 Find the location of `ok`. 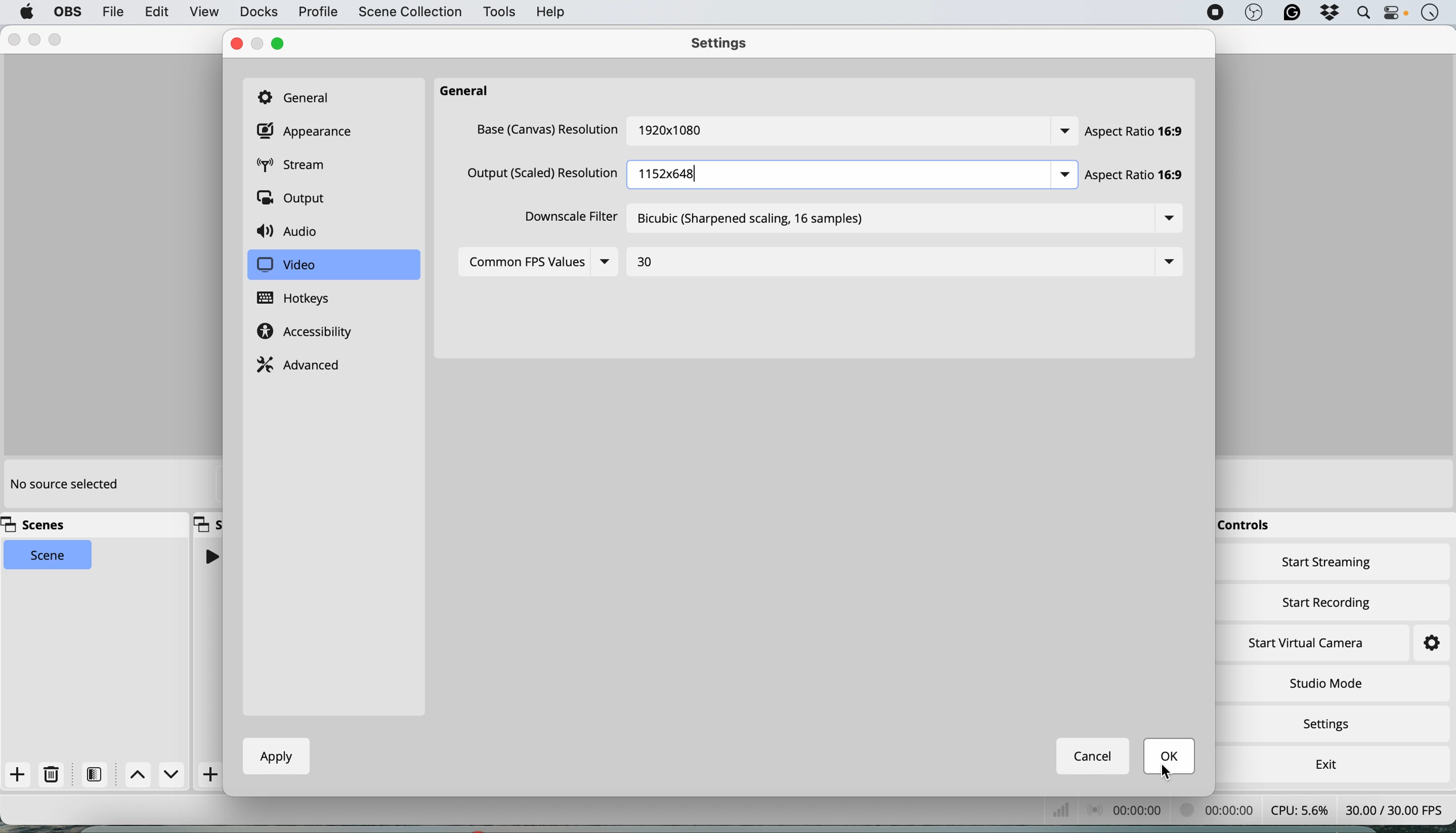

ok is located at coordinates (1171, 757).